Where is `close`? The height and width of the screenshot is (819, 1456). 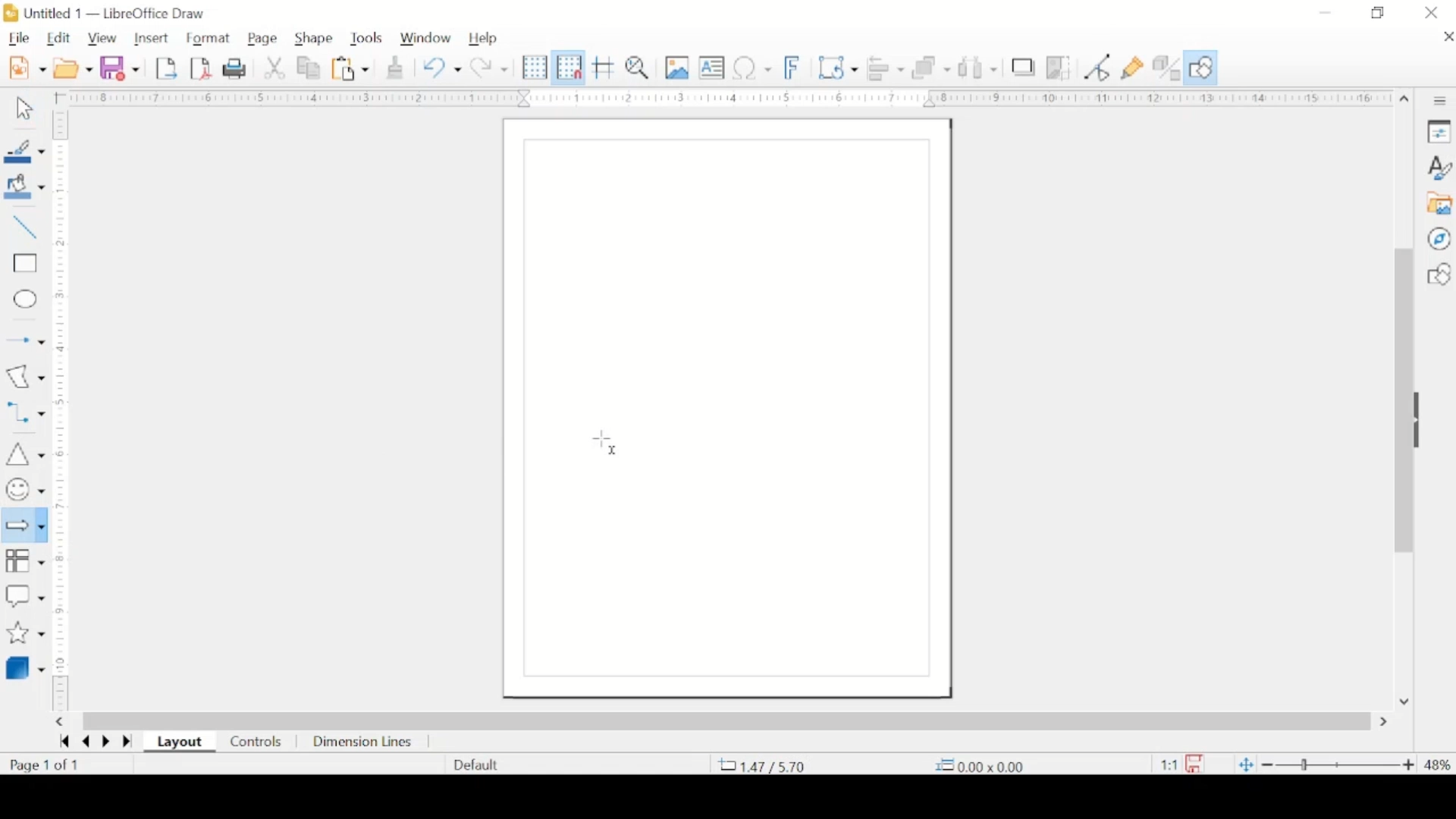
close is located at coordinates (1432, 13).